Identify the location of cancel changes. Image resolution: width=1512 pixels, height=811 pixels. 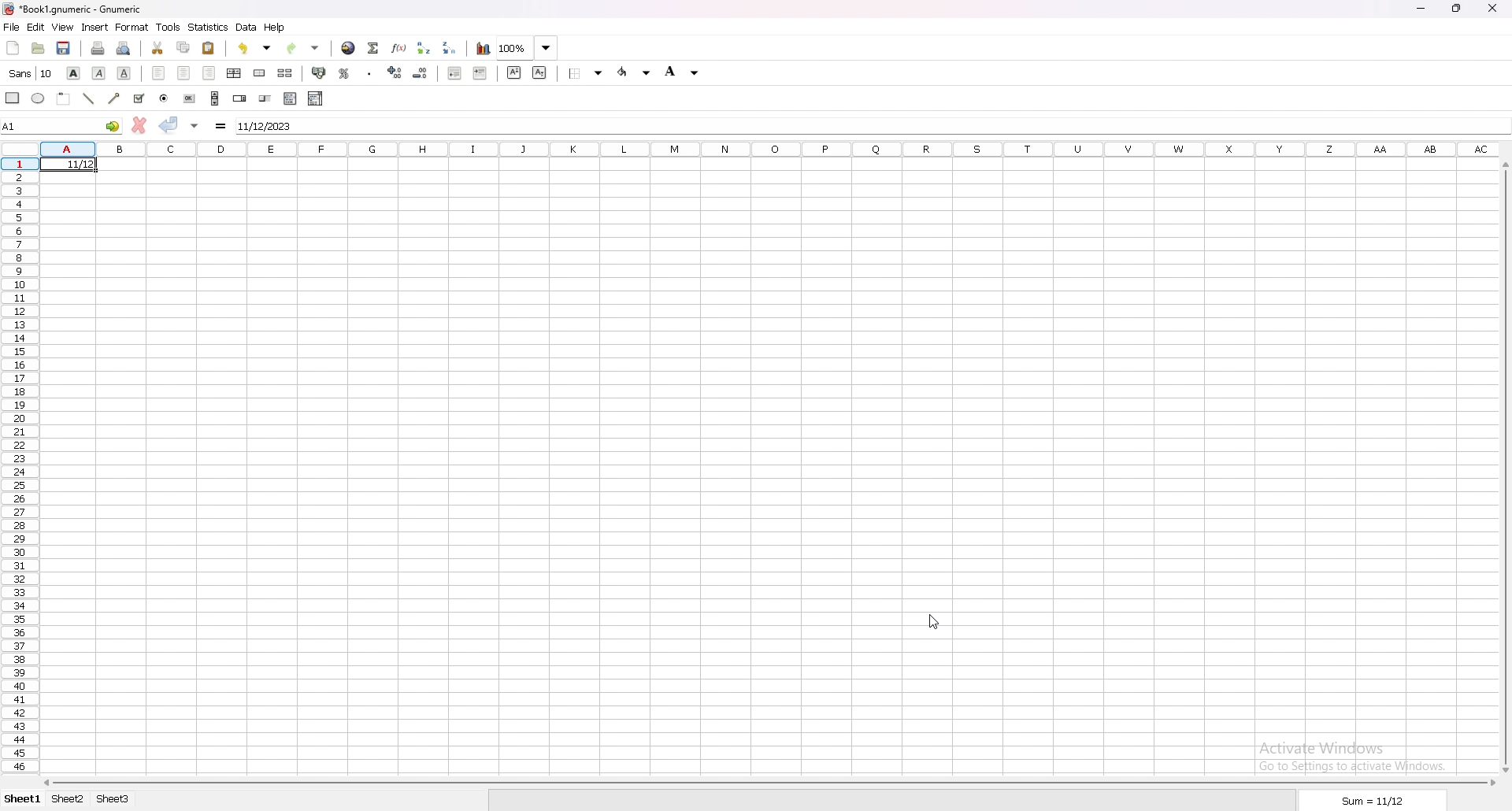
(139, 125).